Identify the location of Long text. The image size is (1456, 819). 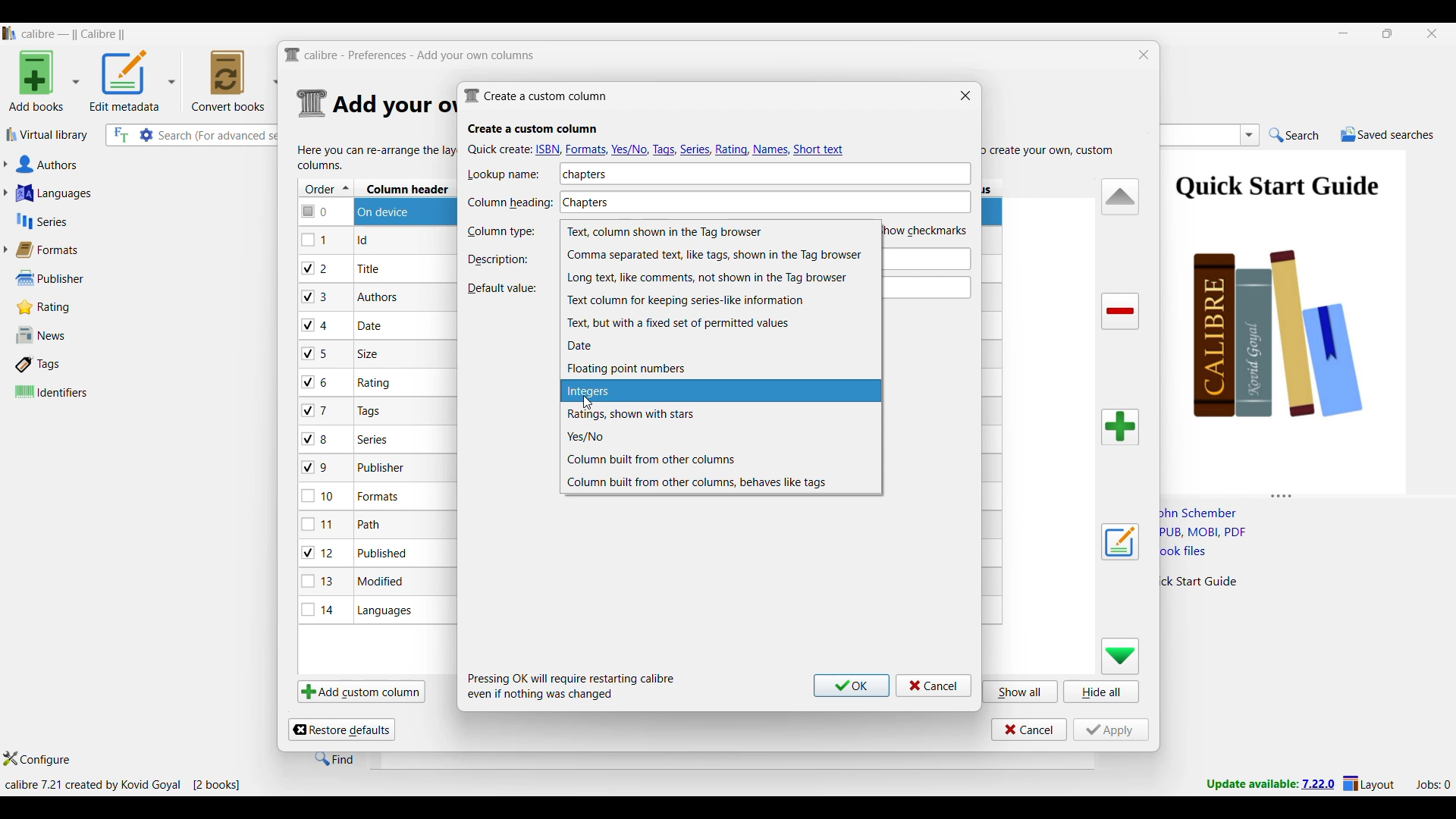
(721, 278).